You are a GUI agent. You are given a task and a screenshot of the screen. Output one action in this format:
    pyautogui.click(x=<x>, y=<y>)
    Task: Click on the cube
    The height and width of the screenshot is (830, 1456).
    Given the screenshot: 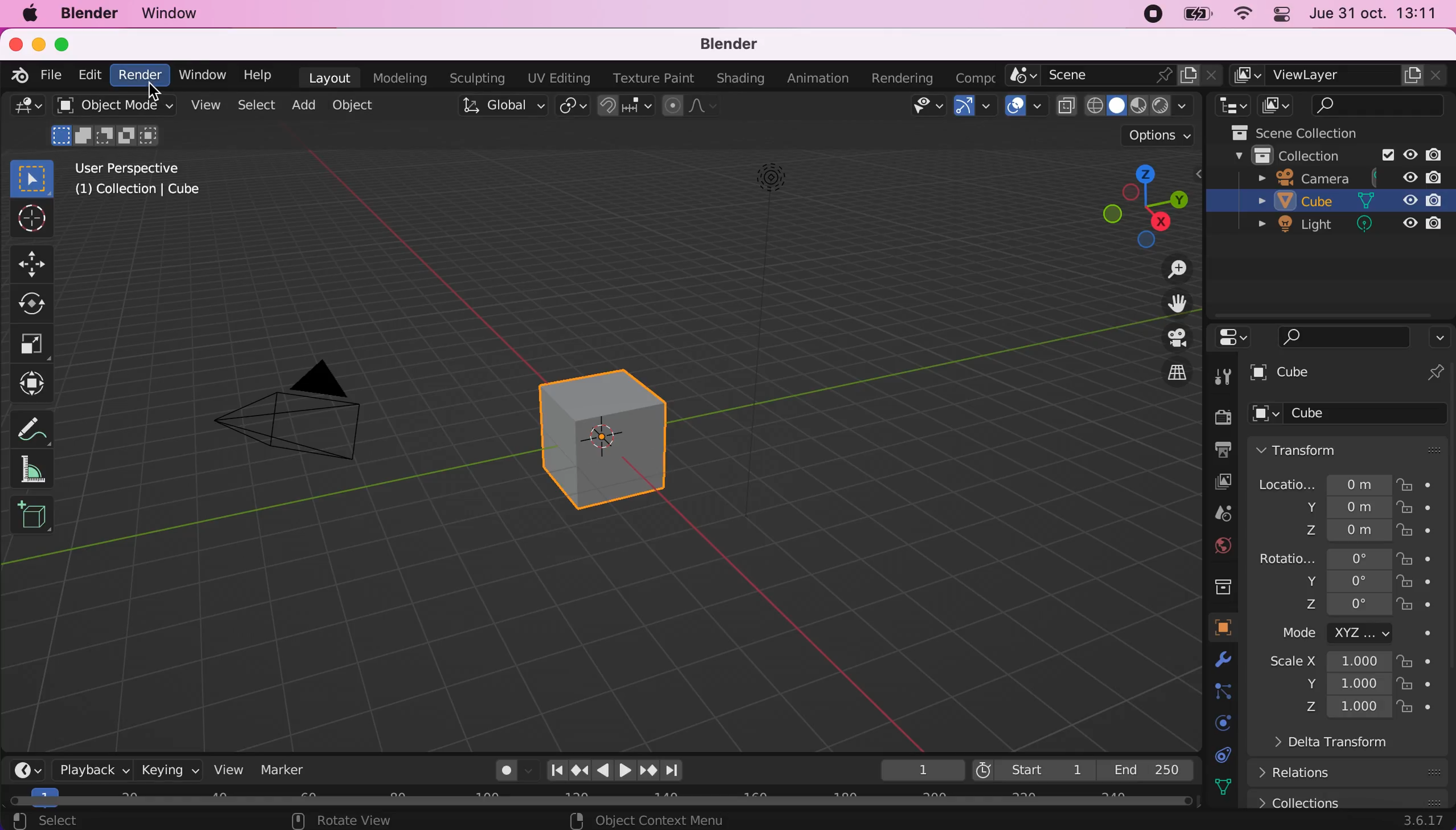 What is the action you would take?
    pyautogui.click(x=610, y=436)
    